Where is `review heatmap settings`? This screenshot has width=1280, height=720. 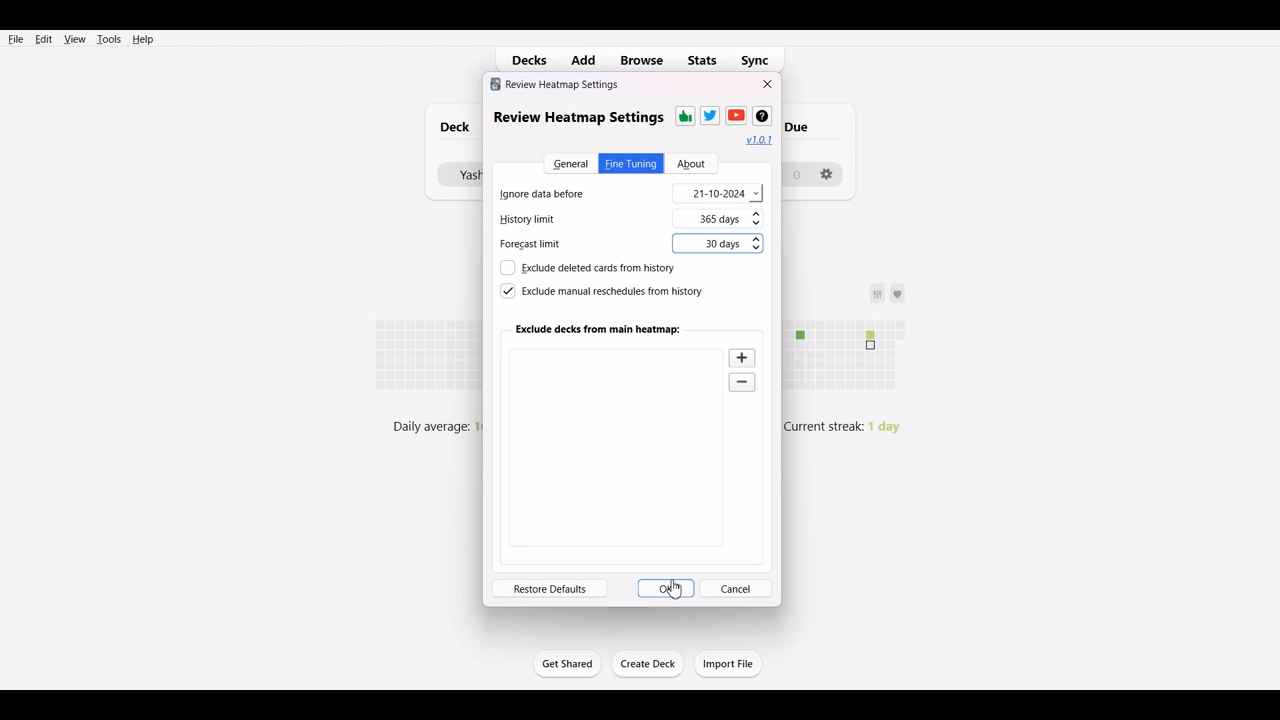 review heatmap settings is located at coordinates (555, 84).